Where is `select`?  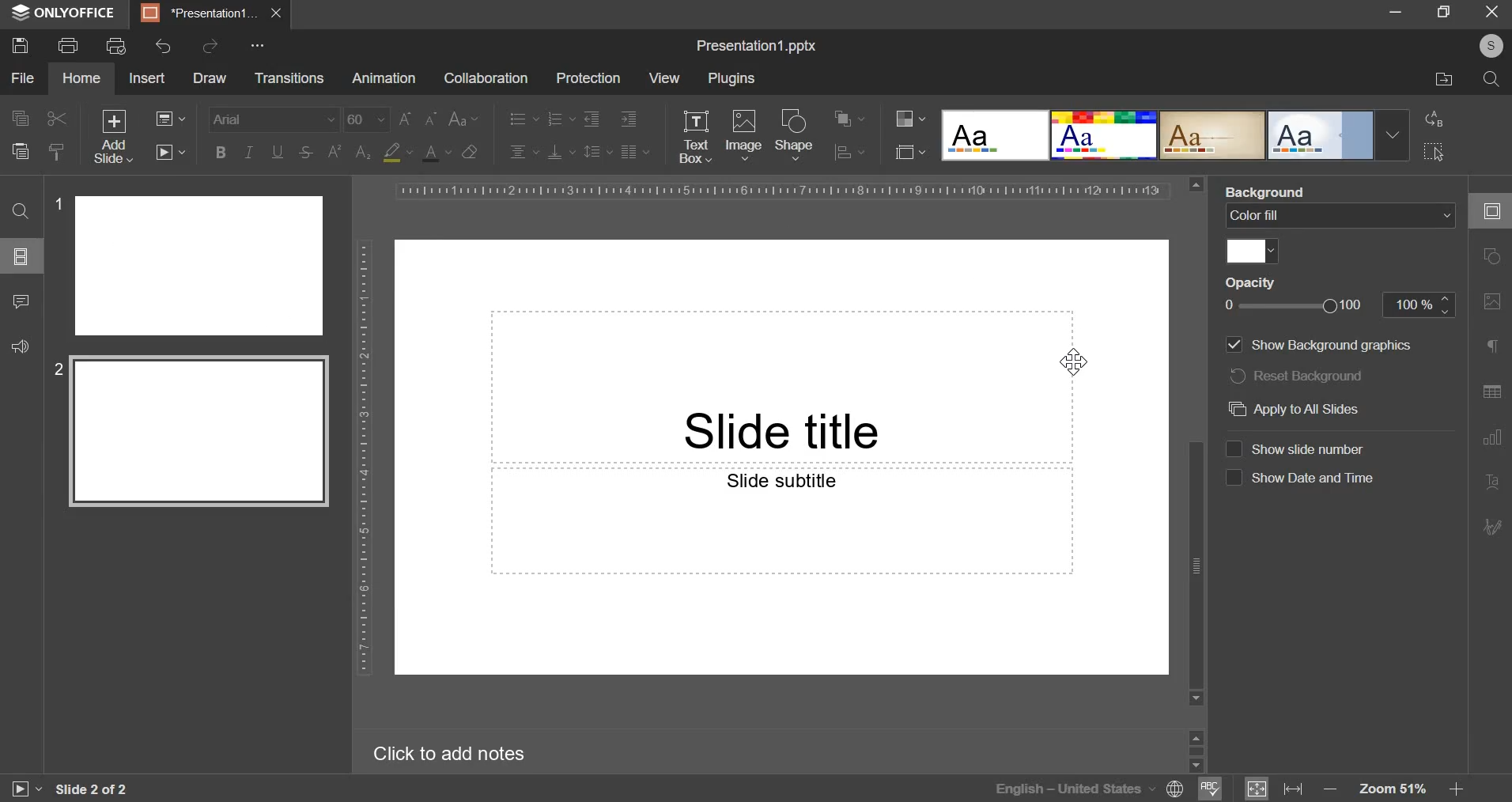 select is located at coordinates (1435, 151).